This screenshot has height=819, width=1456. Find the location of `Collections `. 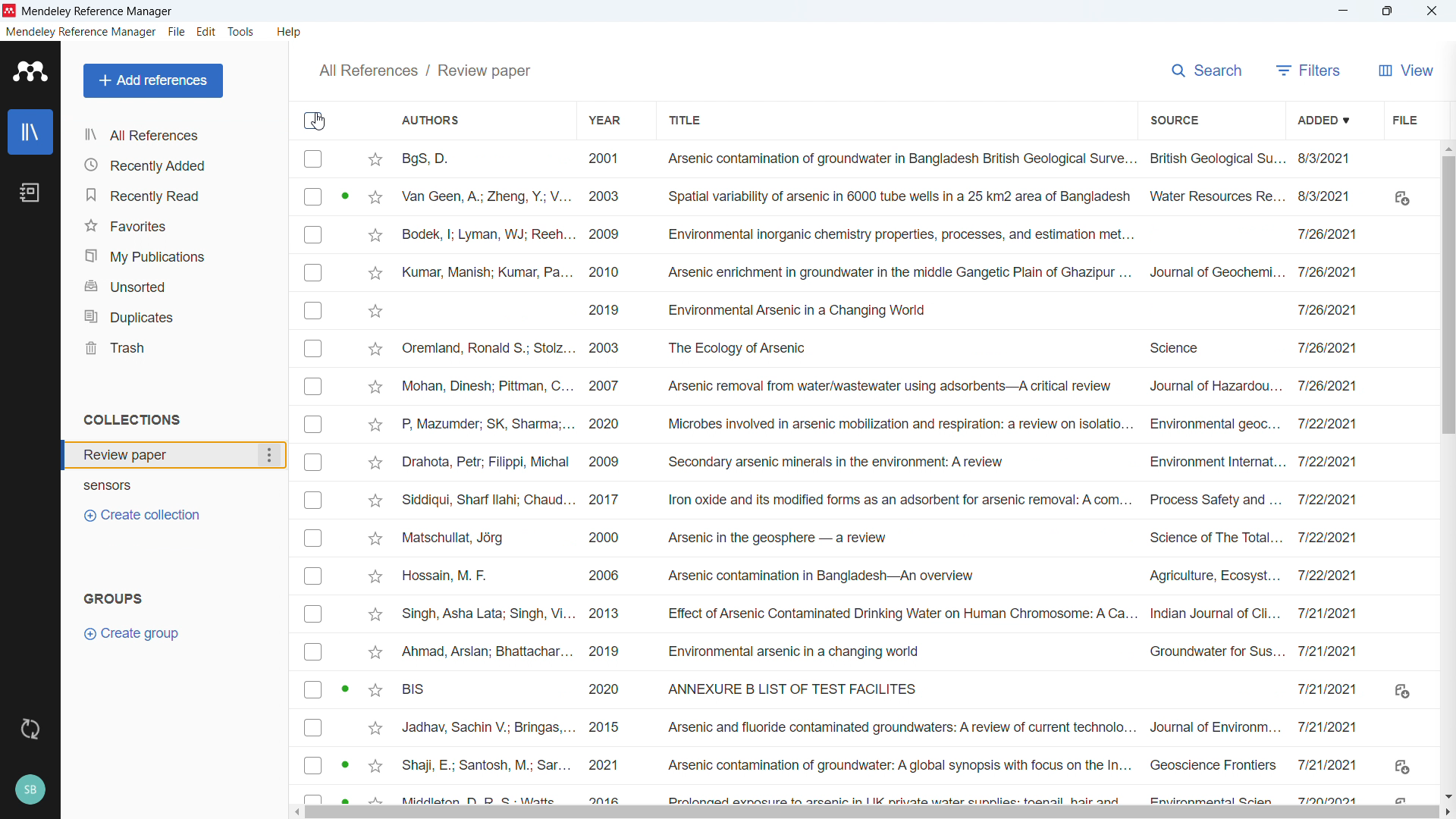

Collections  is located at coordinates (133, 420).